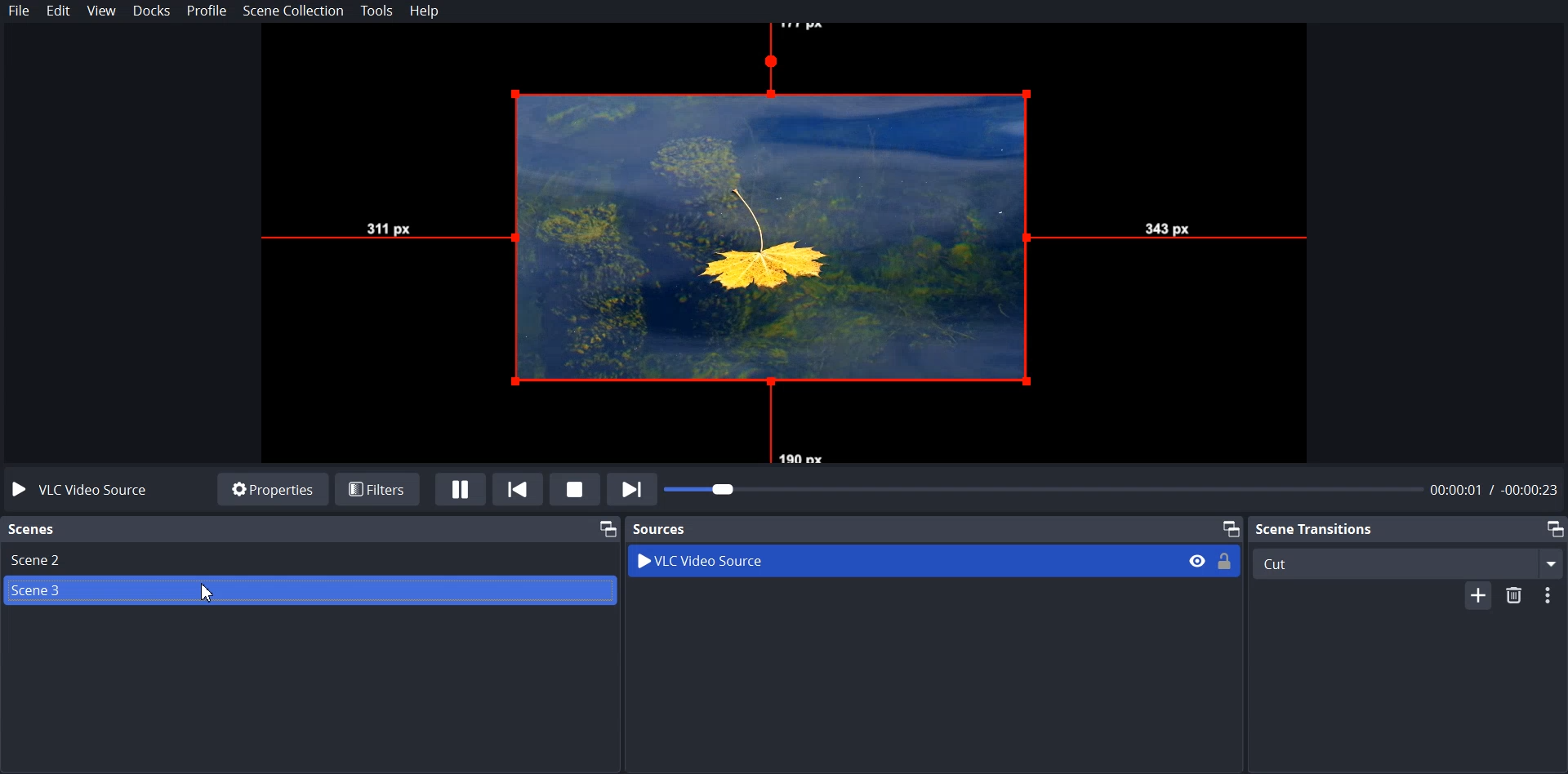  I want to click on Scene Transition, so click(1316, 527).